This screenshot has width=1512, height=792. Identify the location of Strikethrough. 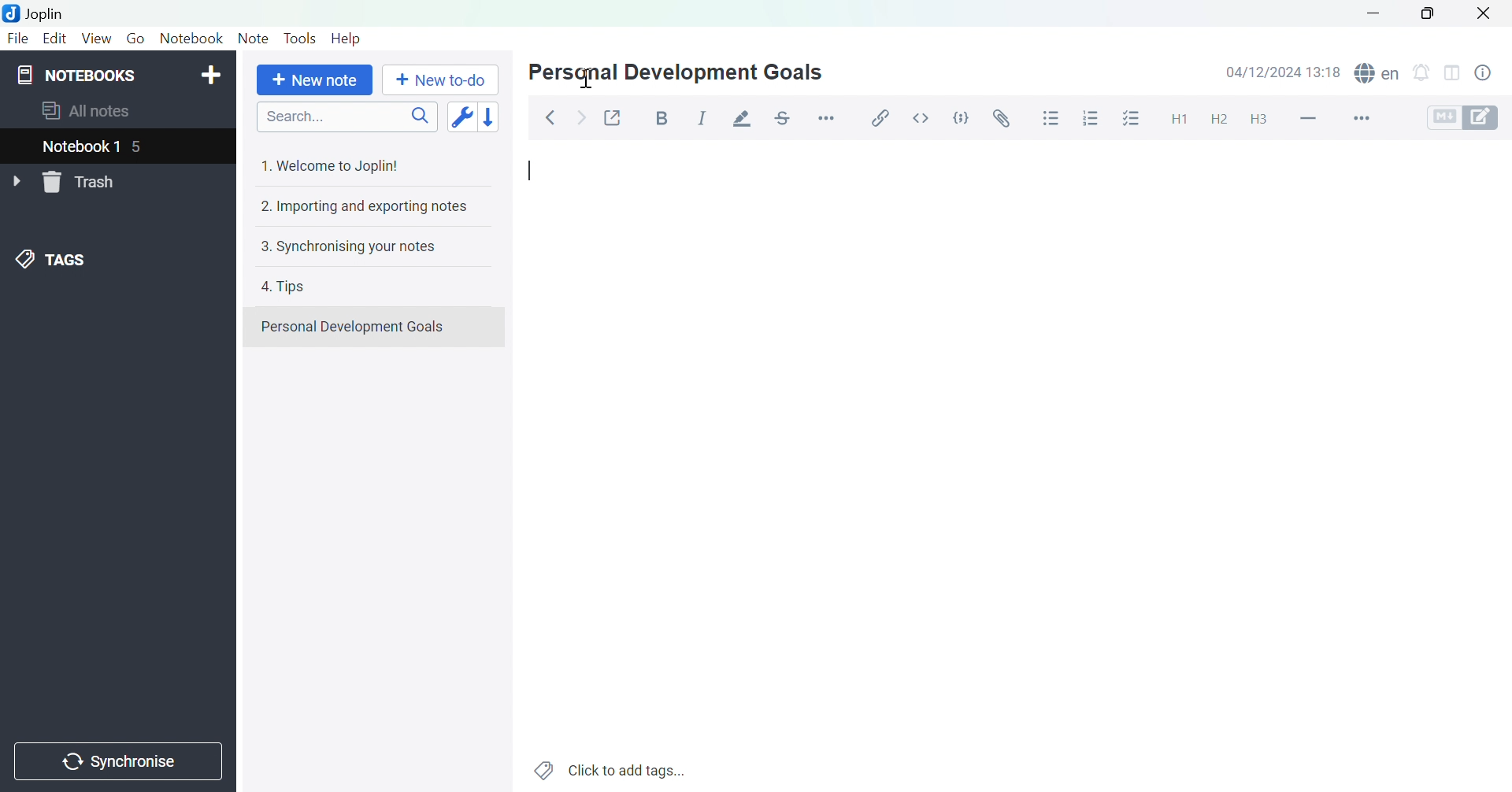
(786, 115).